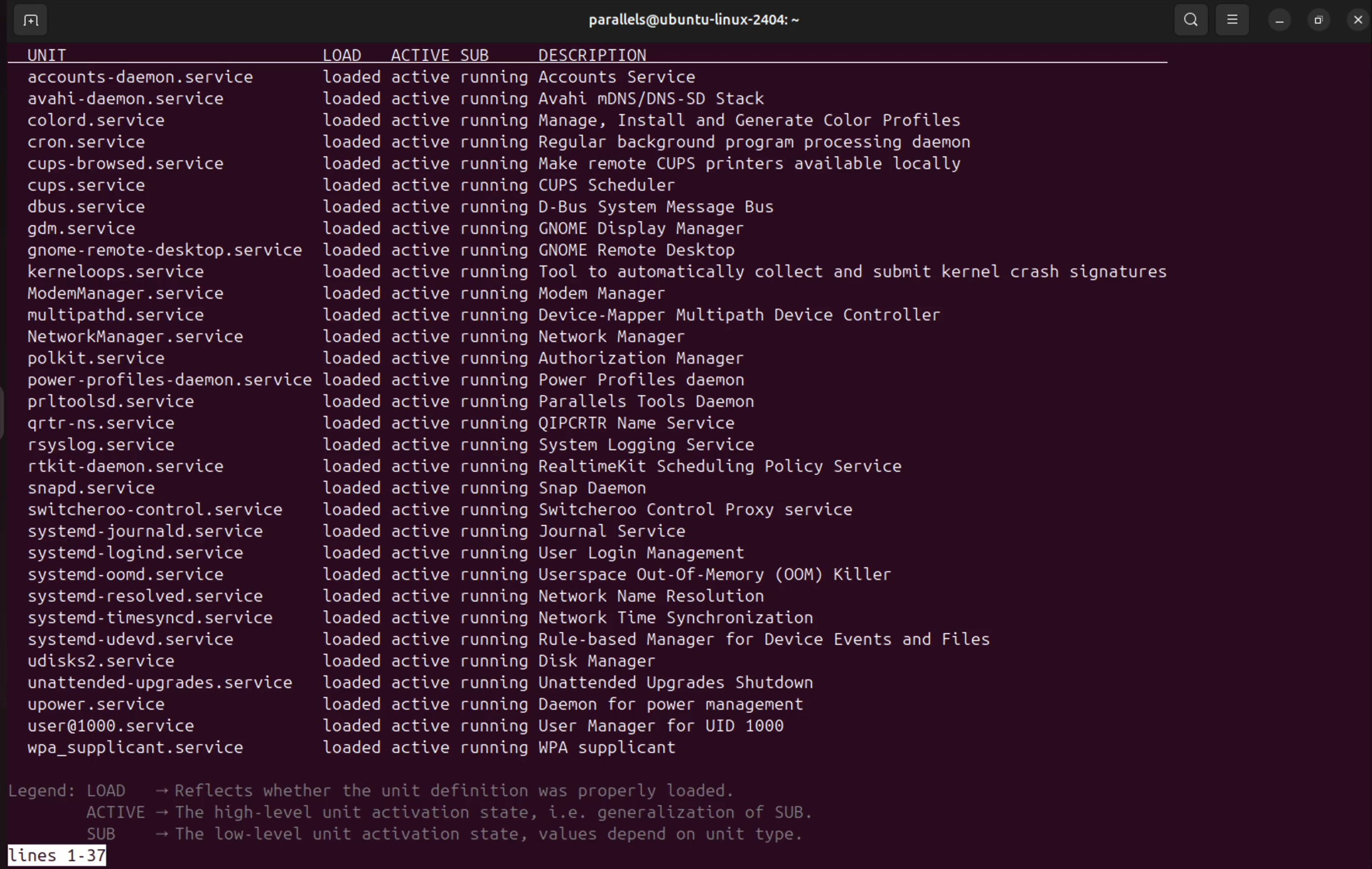 The width and height of the screenshot is (1372, 869). What do you see at coordinates (145, 577) in the screenshot?
I see `system-oomd service` at bounding box center [145, 577].